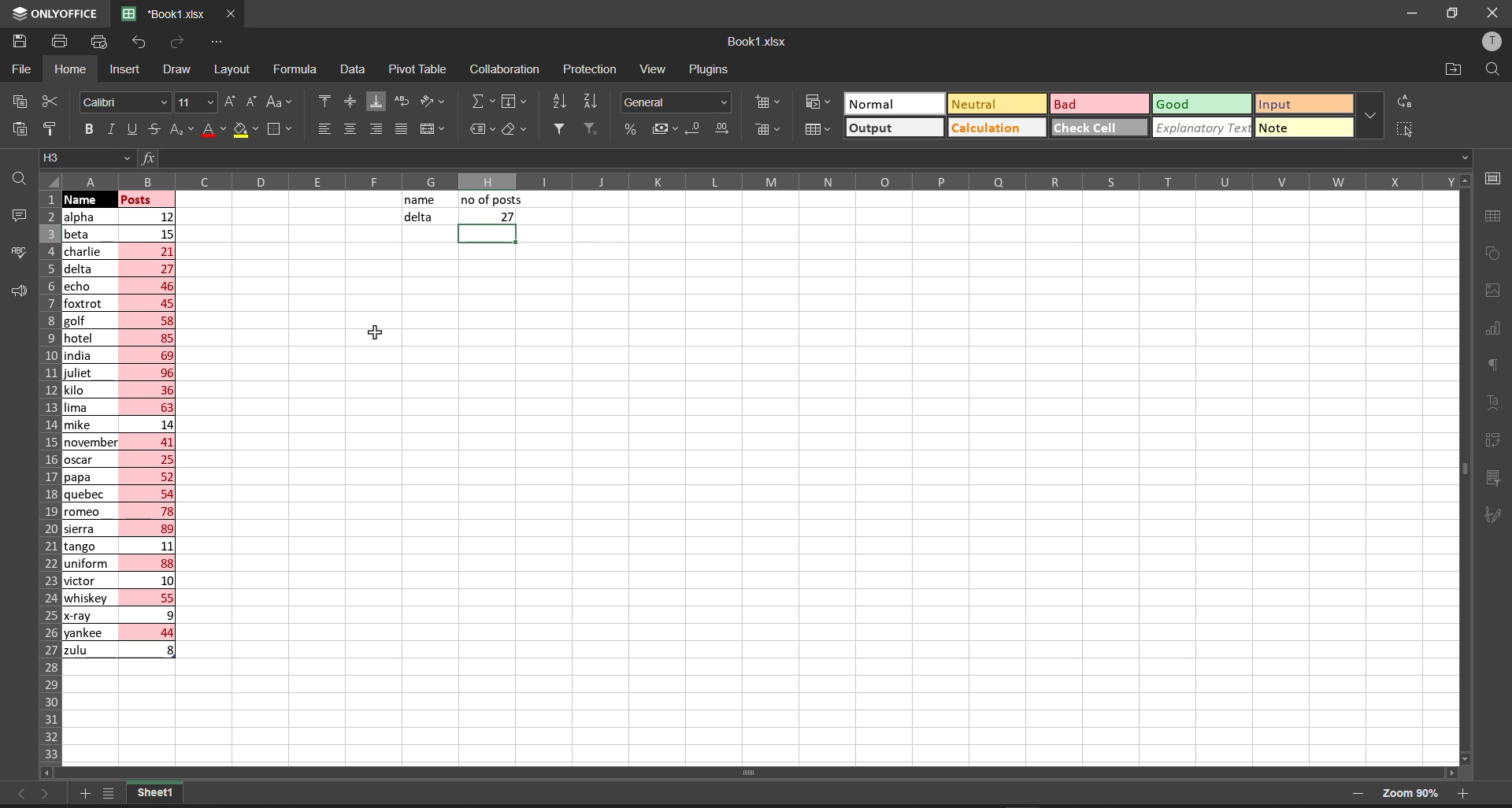 The height and width of the screenshot is (808, 1512). I want to click on Good, so click(1175, 103).